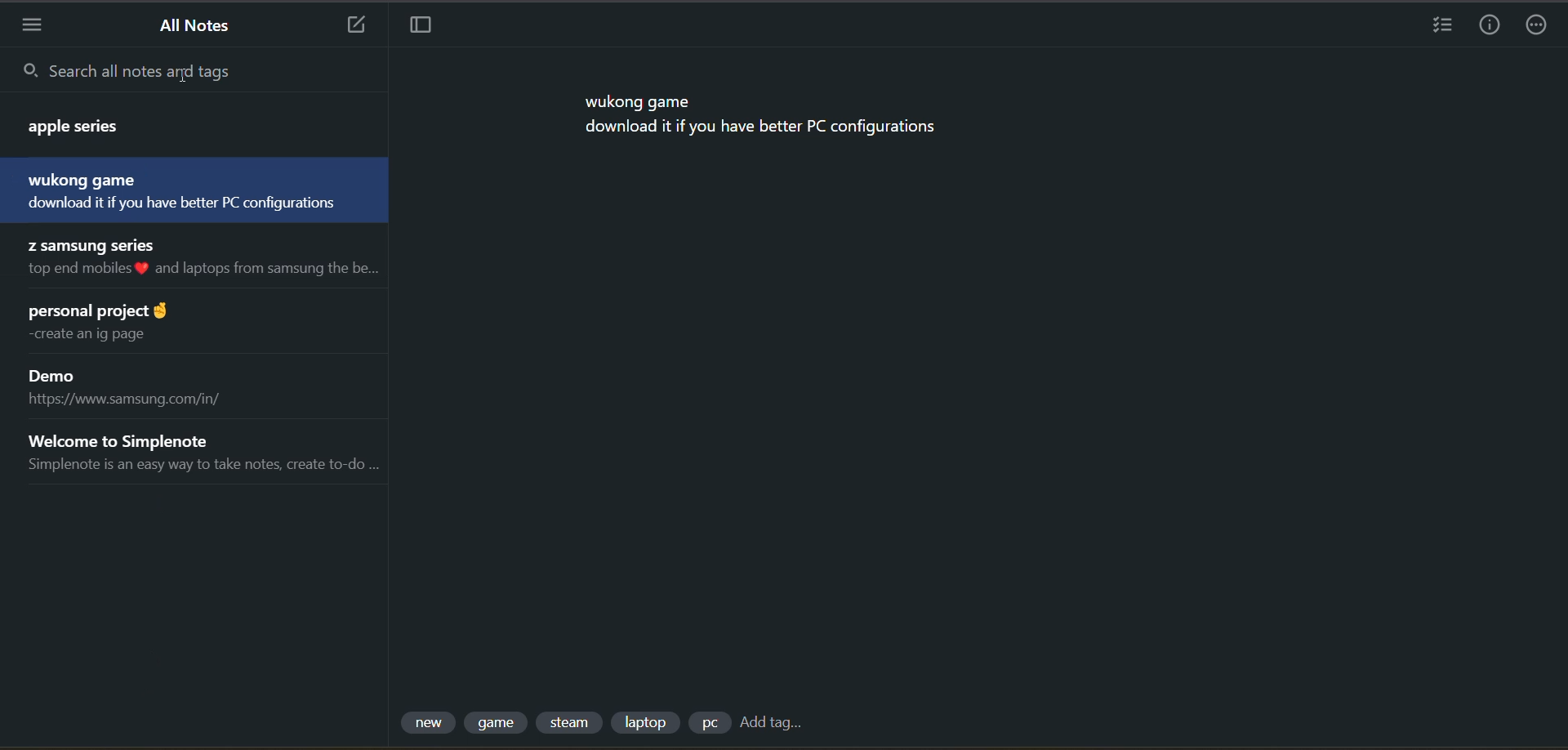 The width and height of the screenshot is (1568, 750). I want to click on note title and preview, so click(199, 452).